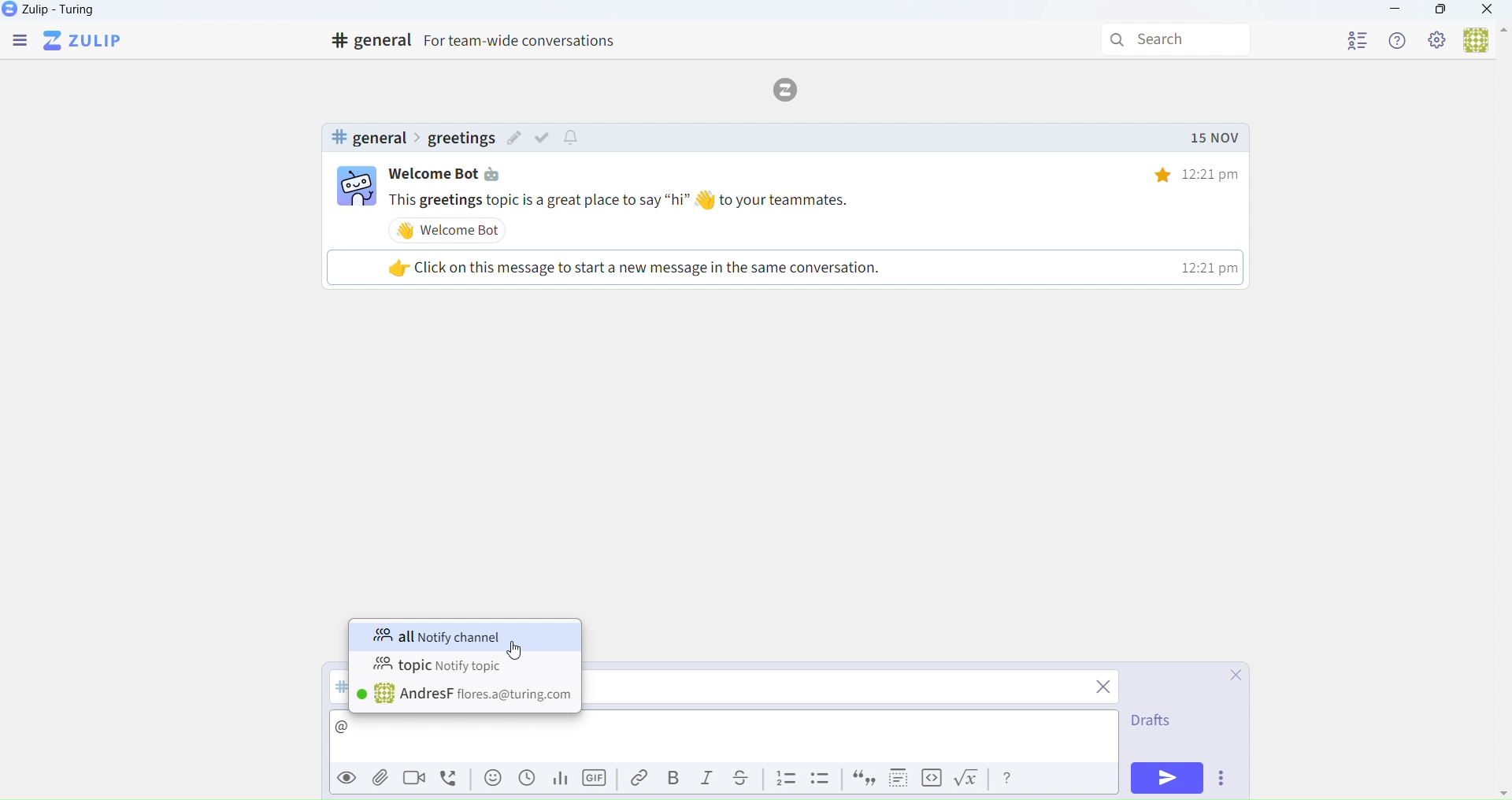 The width and height of the screenshot is (1512, 800). Describe the element at coordinates (455, 174) in the screenshot. I see `bot name` at that location.